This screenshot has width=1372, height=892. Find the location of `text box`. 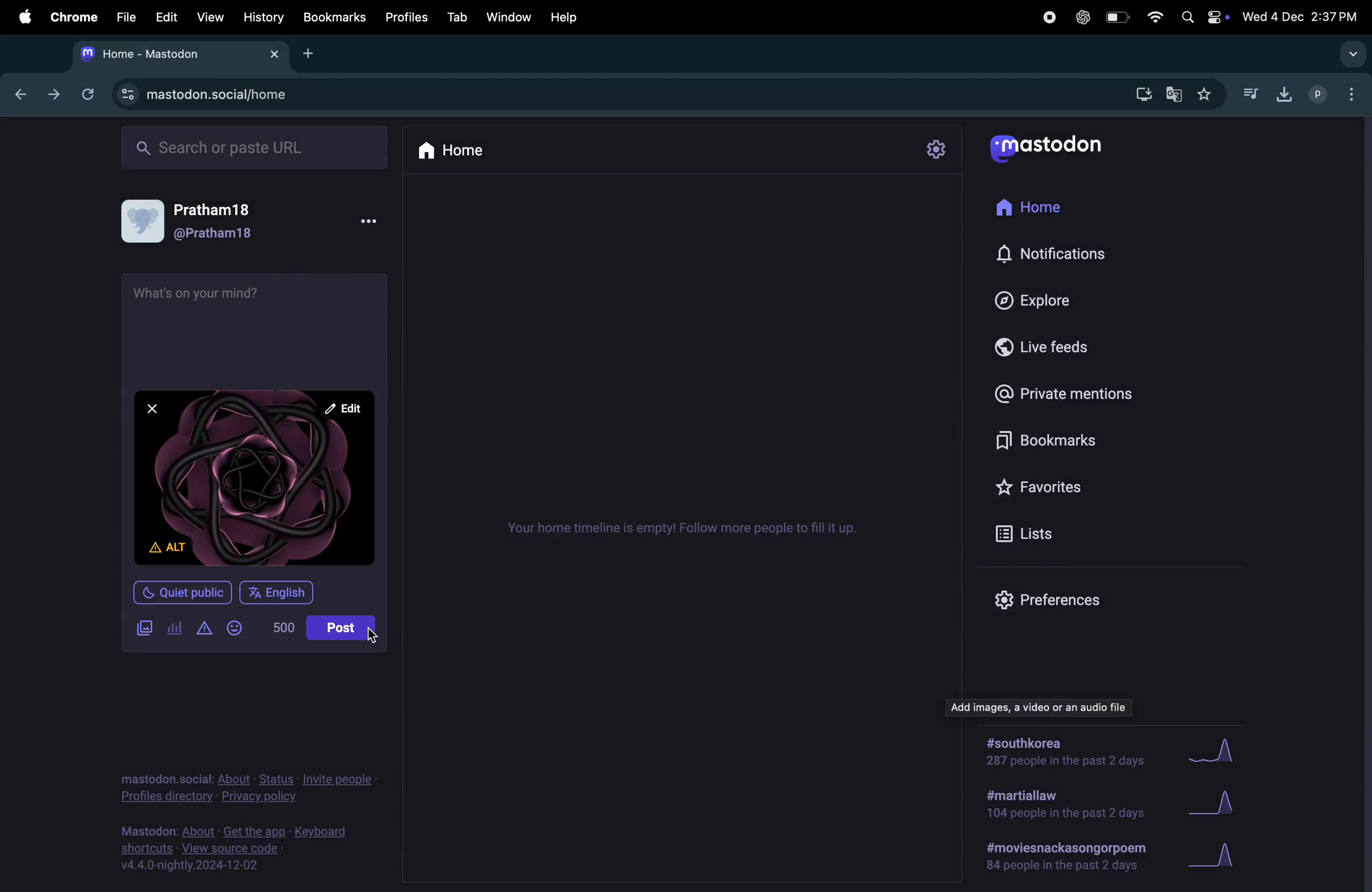

text box is located at coordinates (253, 326).